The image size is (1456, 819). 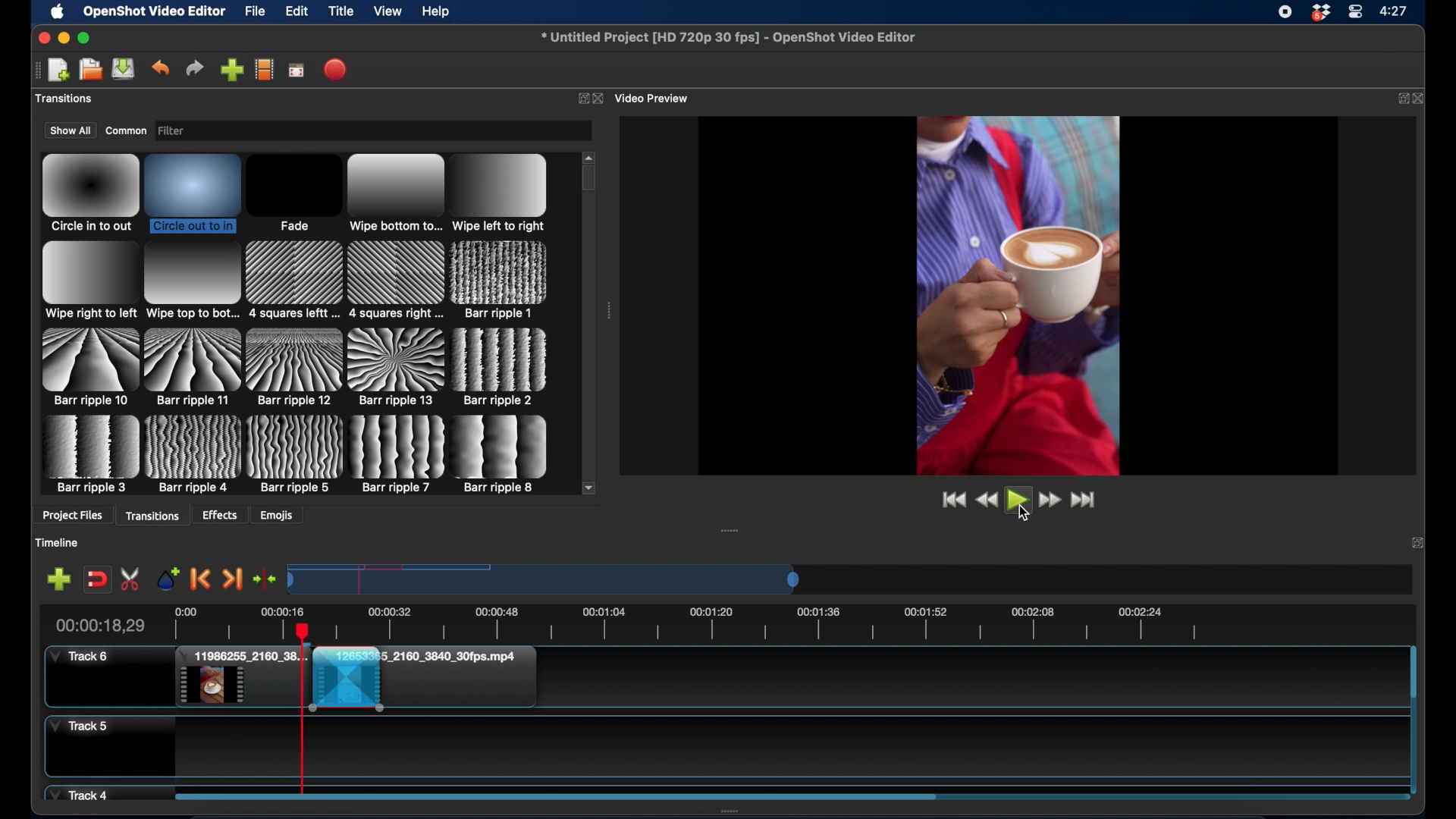 What do you see at coordinates (264, 69) in the screenshot?
I see `choose profile` at bounding box center [264, 69].